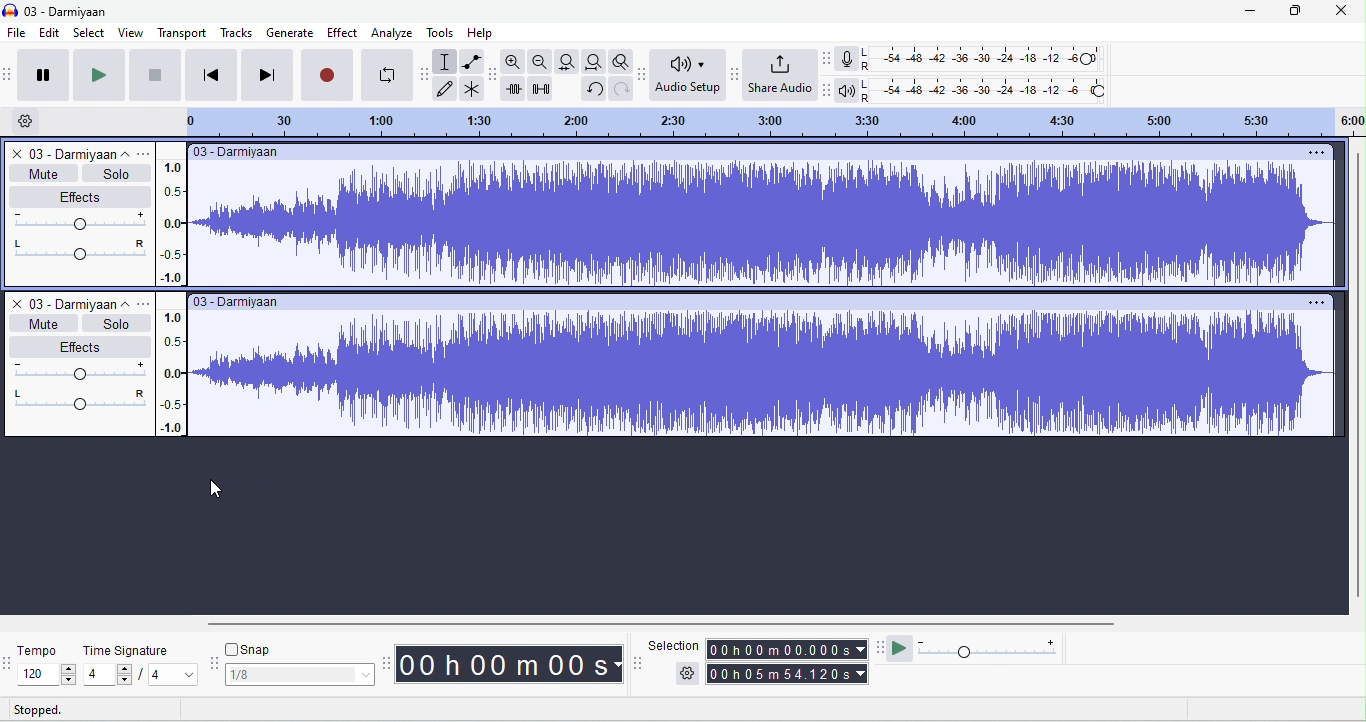  I want to click on transport, so click(182, 32).